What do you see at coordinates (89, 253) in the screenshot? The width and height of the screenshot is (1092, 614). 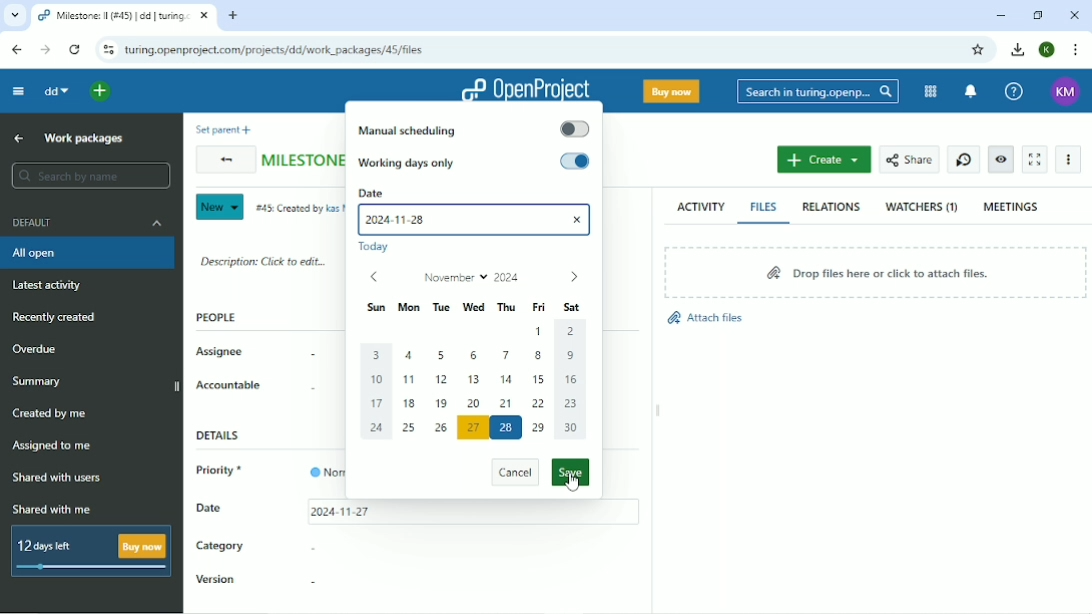 I see `All open` at bounding box center [89, 253].